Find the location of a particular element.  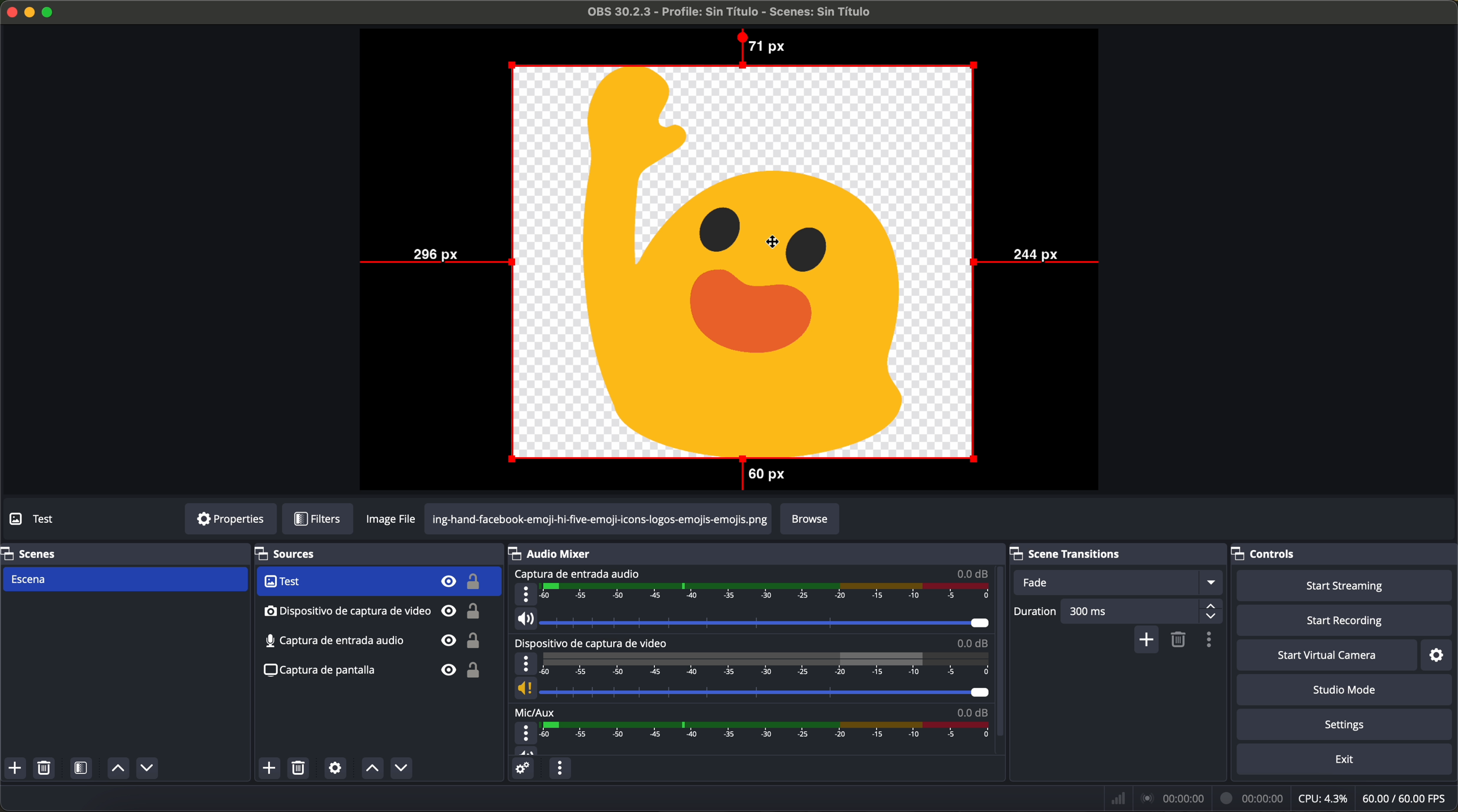

open scene filters is located at coordinates (83, 769).